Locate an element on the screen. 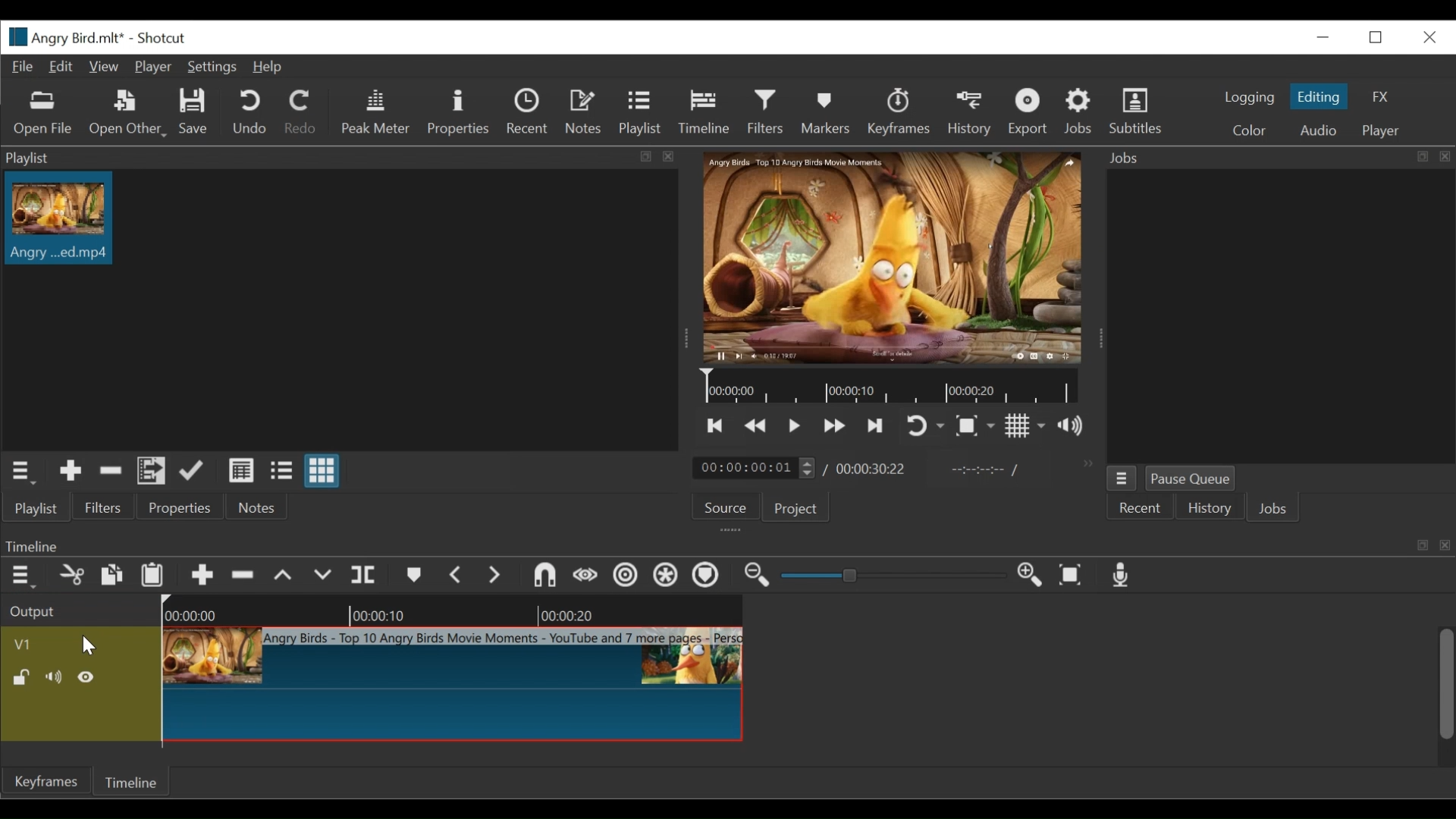 This screenshot has height=819, width=1456. logging is located at coordinates (1250, 99).